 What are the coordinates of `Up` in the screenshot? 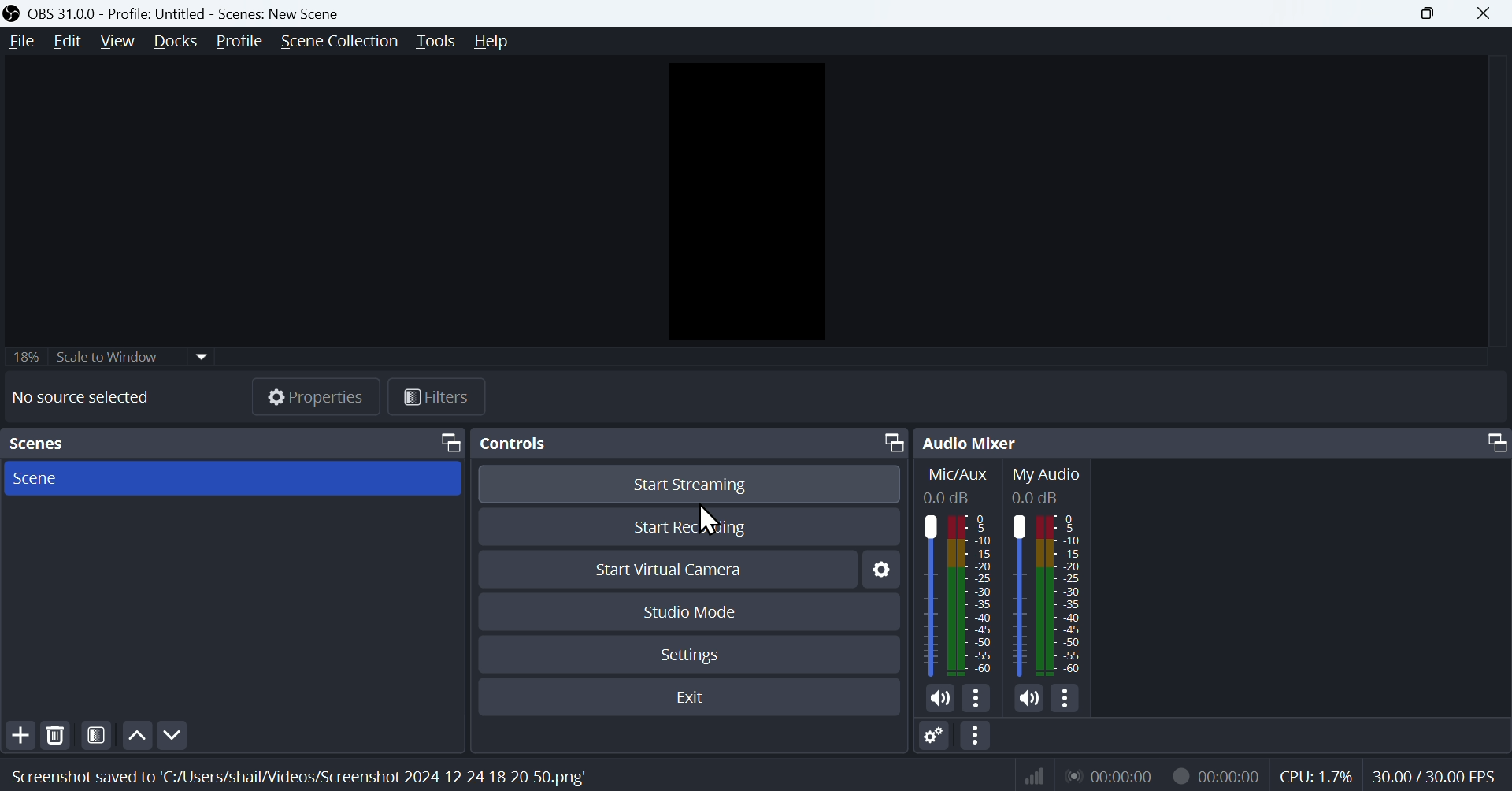 It's located at (135, 733).